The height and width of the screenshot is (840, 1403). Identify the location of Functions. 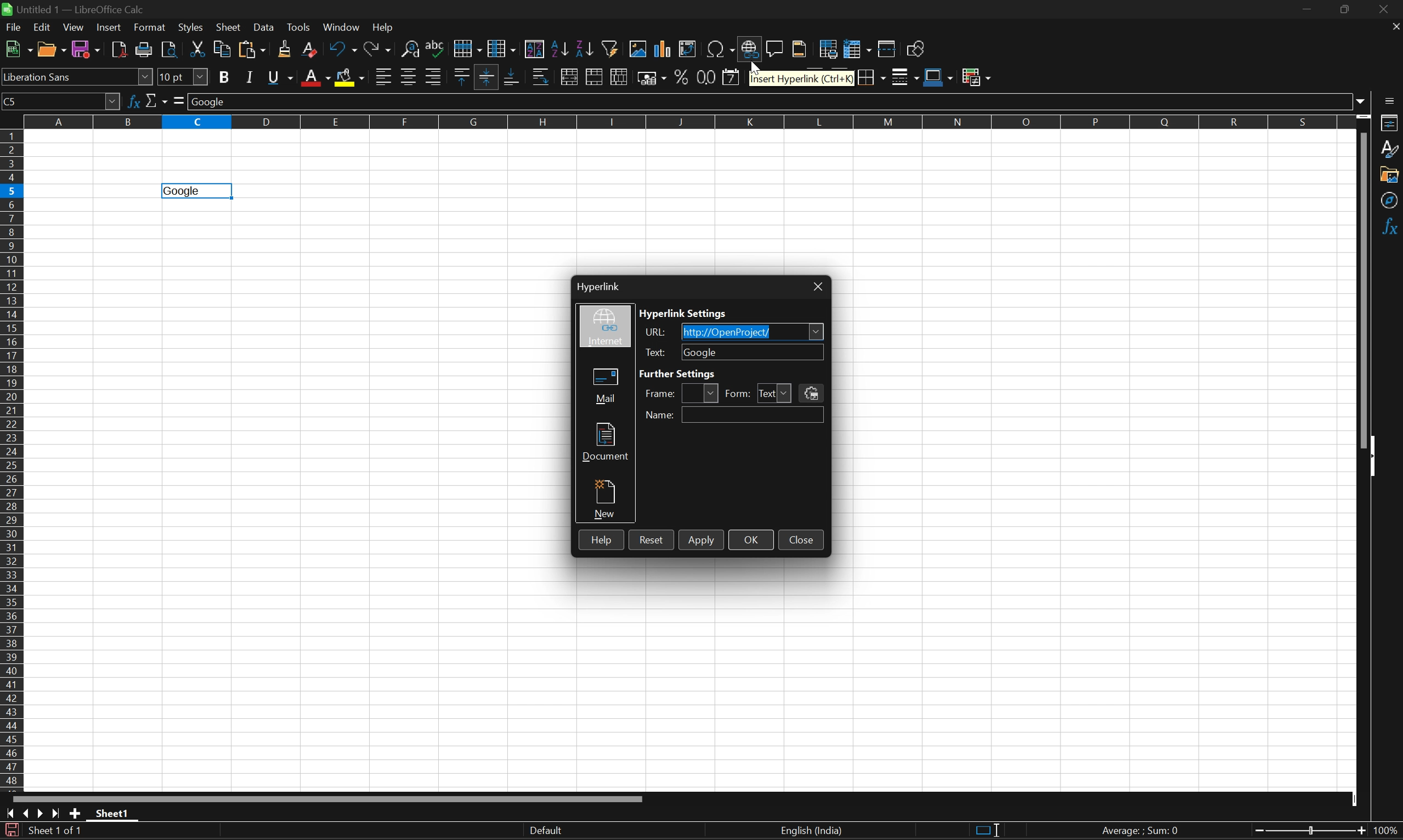
(1391, 228).